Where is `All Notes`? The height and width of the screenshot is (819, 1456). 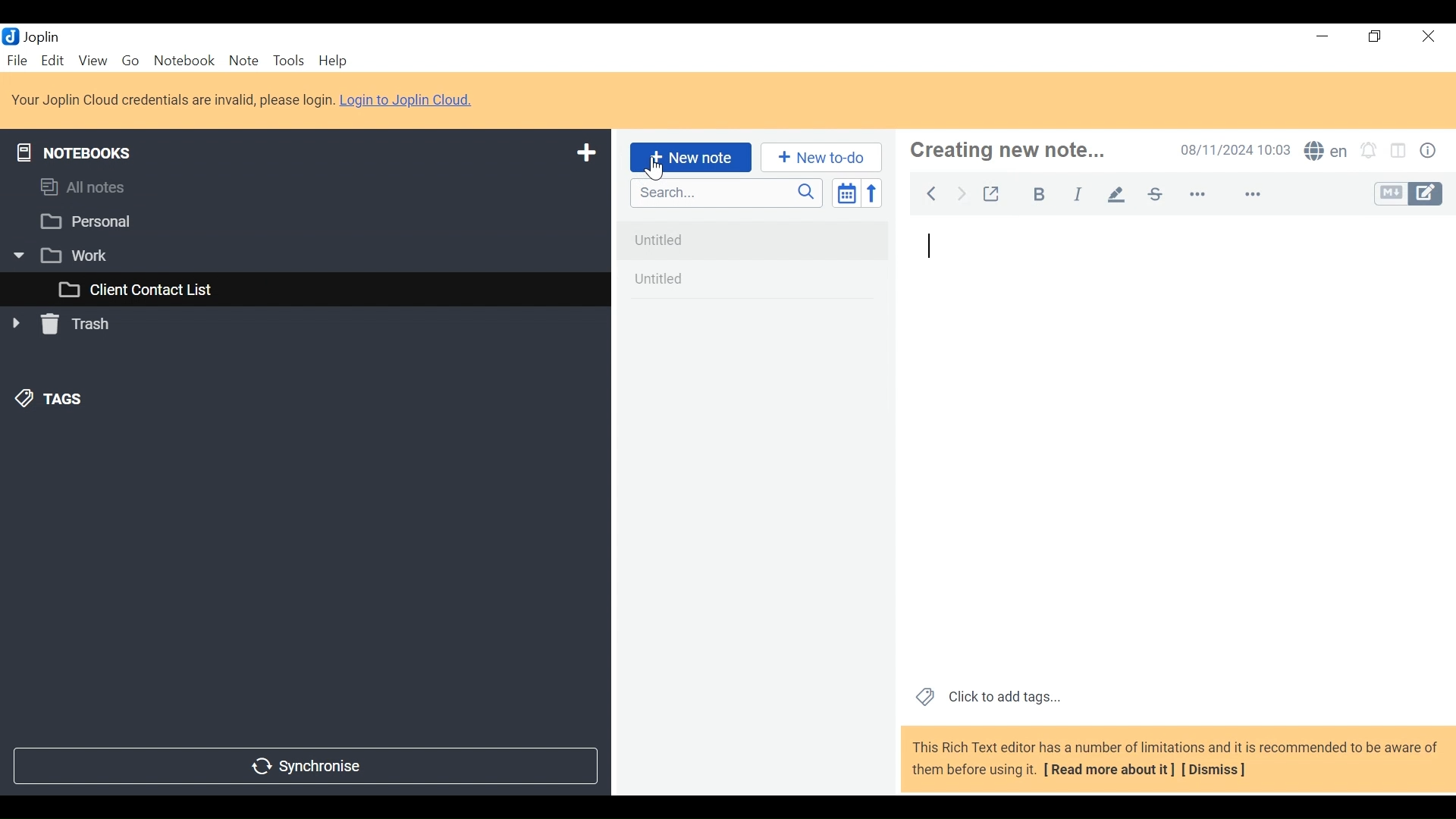
All Notes is located at coordinates (304, 190).